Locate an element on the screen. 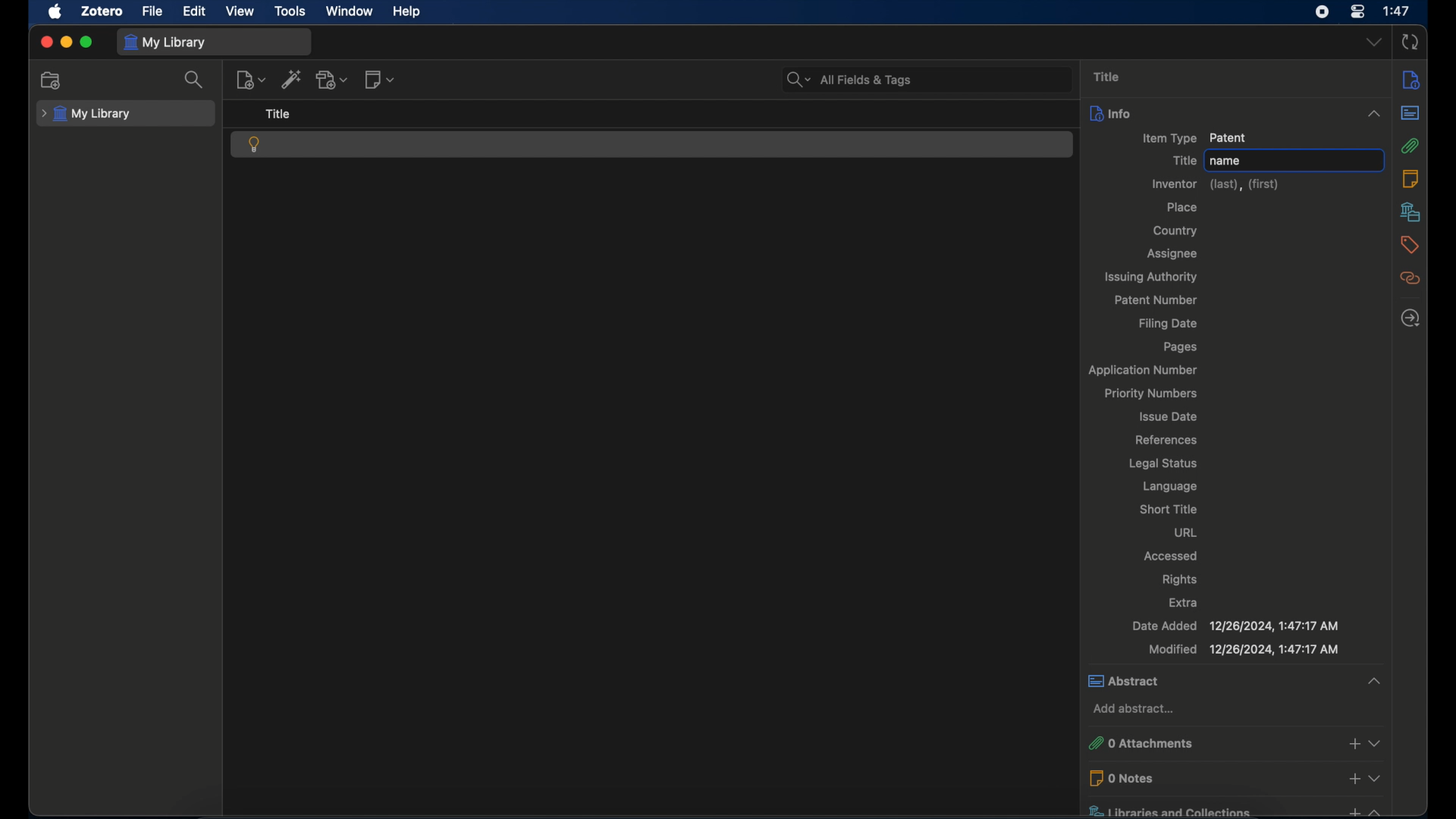 The width and height of the screenshot is (1456, 819). application number is located at coordinates (1141, 372).